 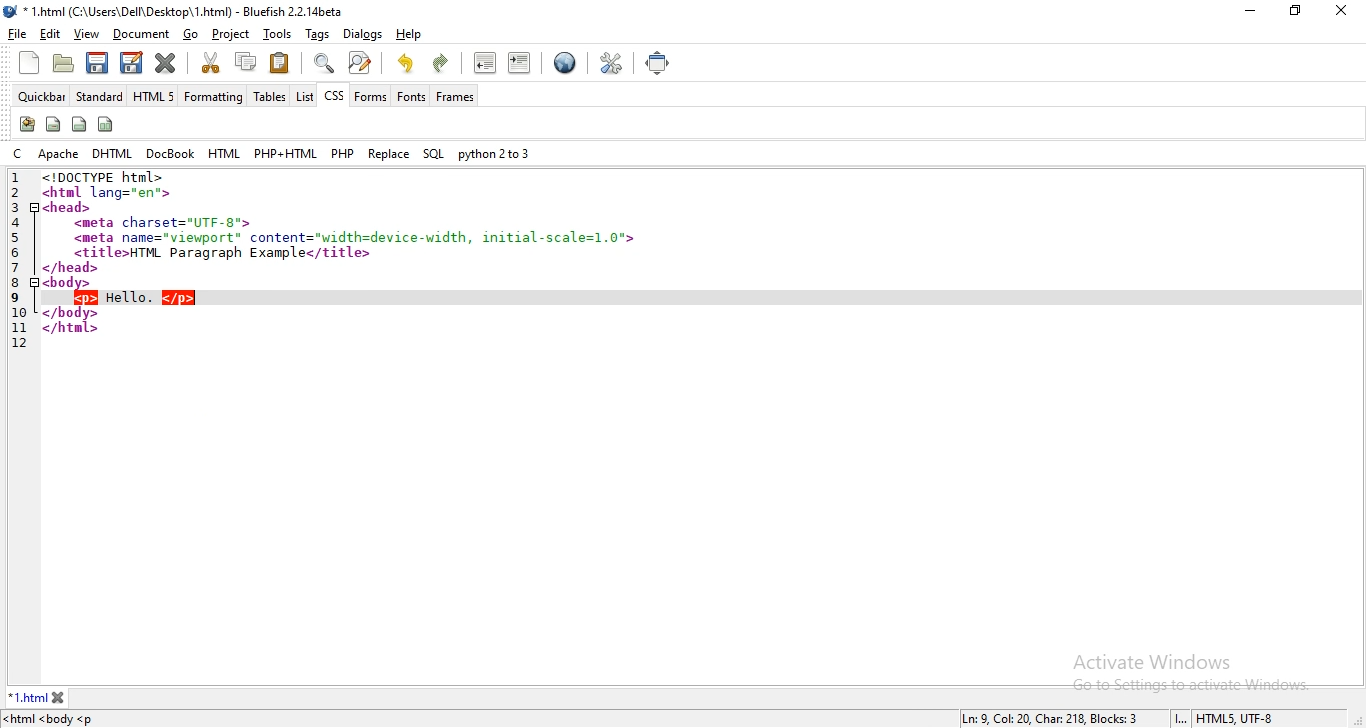 What do you see at coordinates (110, 192) in the screenshot?
I see `<html lang="en">` at bounding box center [110, 192].